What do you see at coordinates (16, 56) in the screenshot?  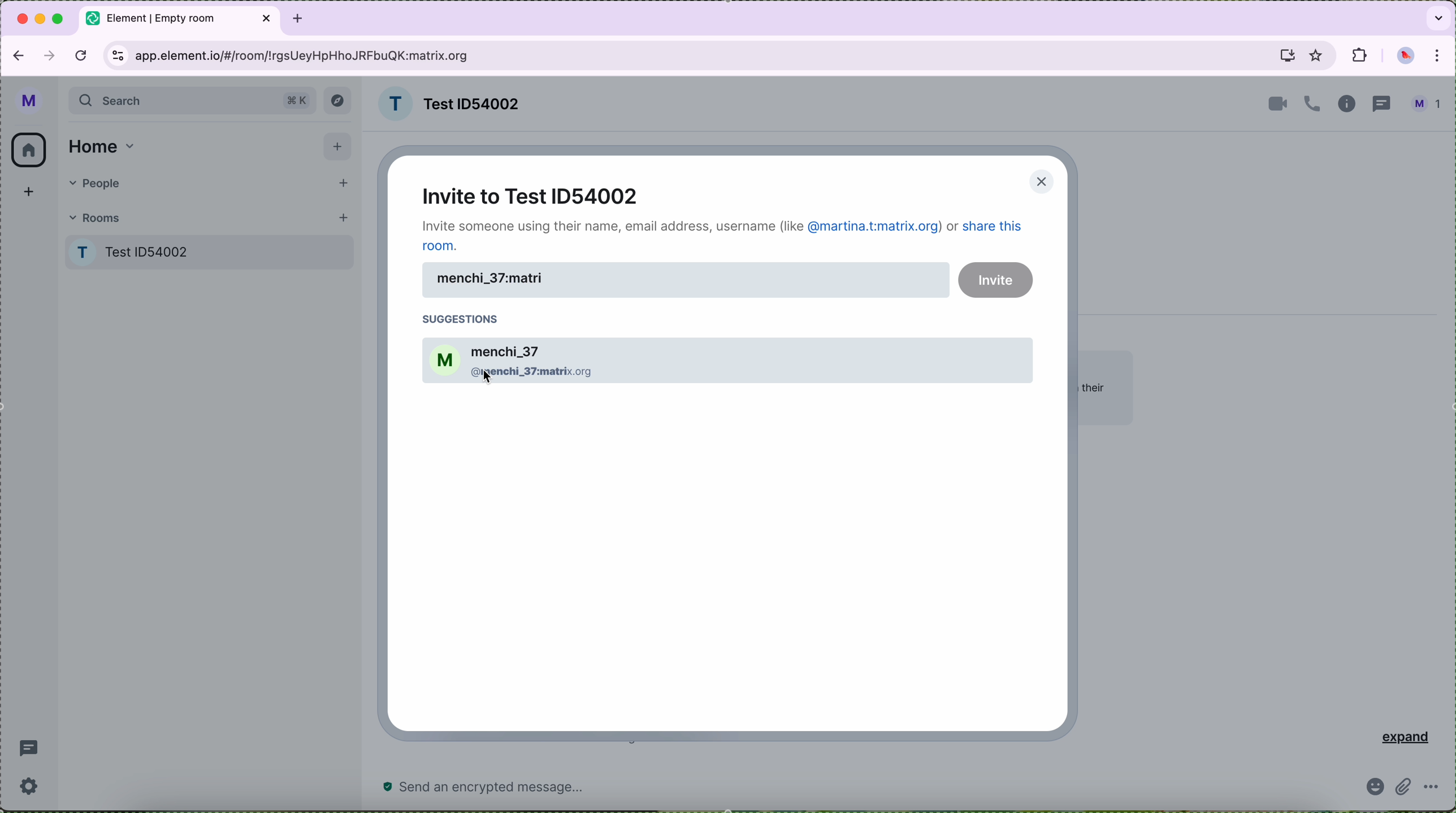 I see `navigate back` at bounding box center [16, 56].